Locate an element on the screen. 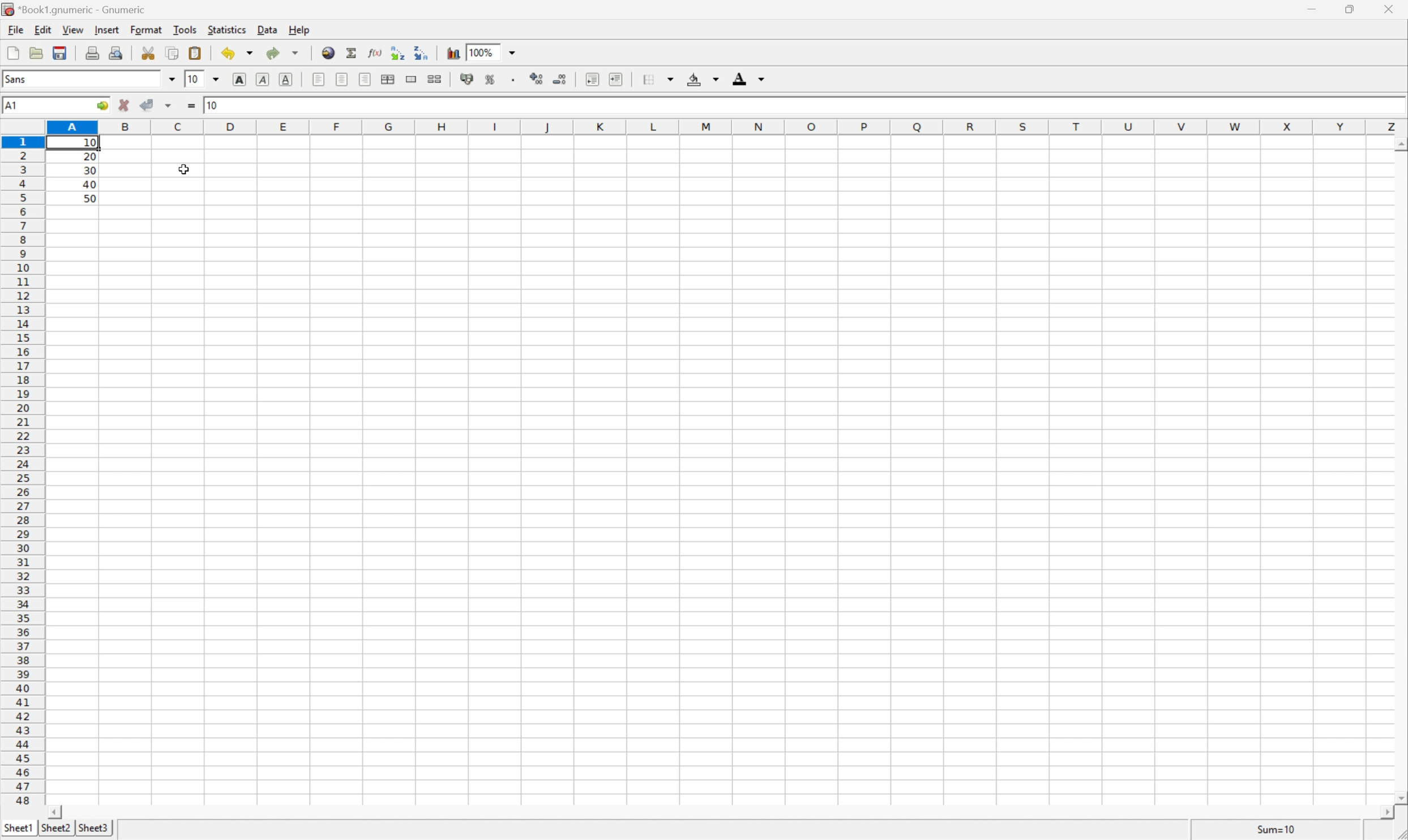 This screenshot has height=840, width=1408. Split merged ranges of cells is located at coordinates (438, 77).